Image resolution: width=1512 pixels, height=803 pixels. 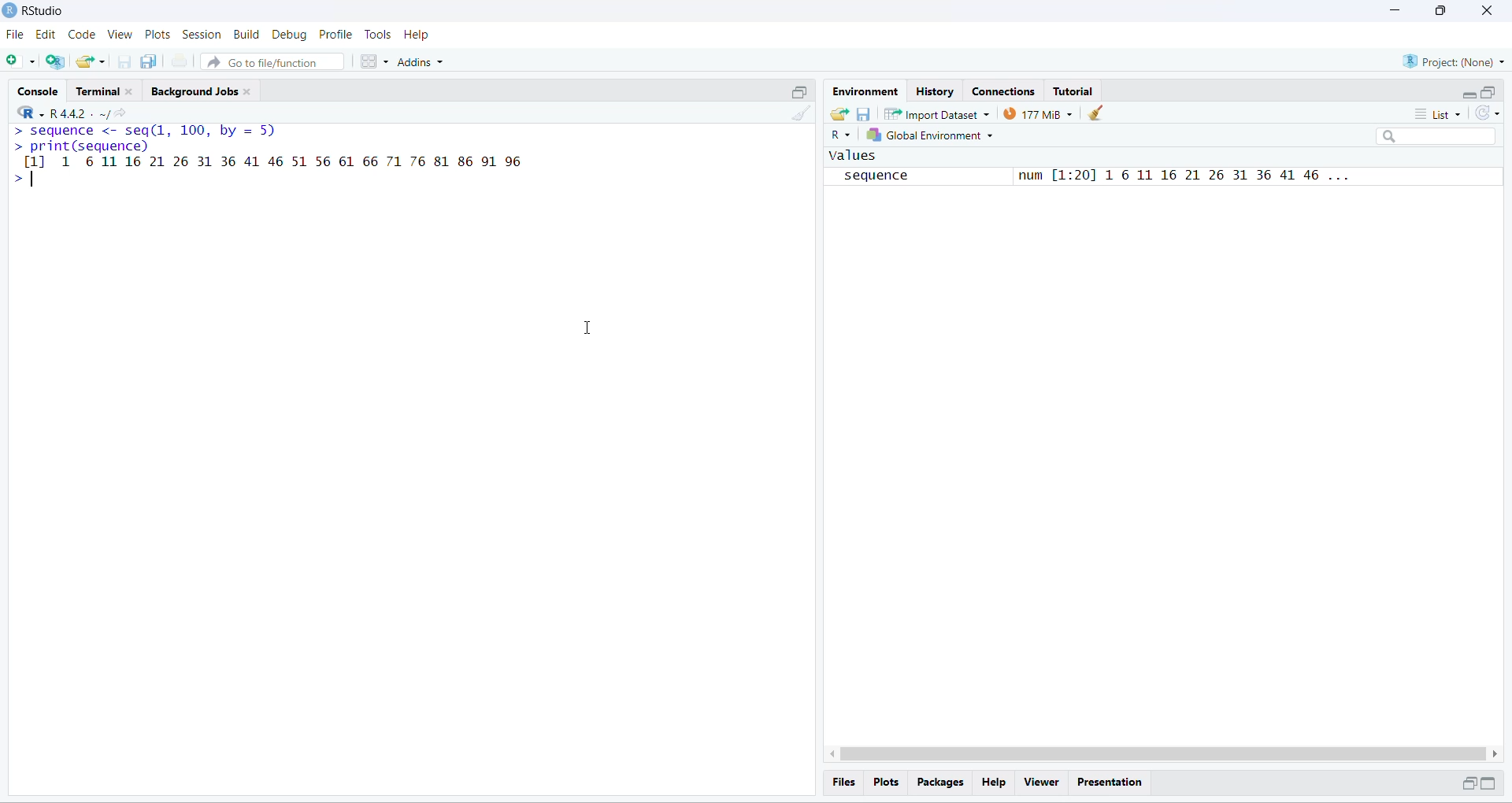 What do you see at coordinates (1162, 753) in the screenshot?
I see `scroll bar` at bounding box center [1162, 753].